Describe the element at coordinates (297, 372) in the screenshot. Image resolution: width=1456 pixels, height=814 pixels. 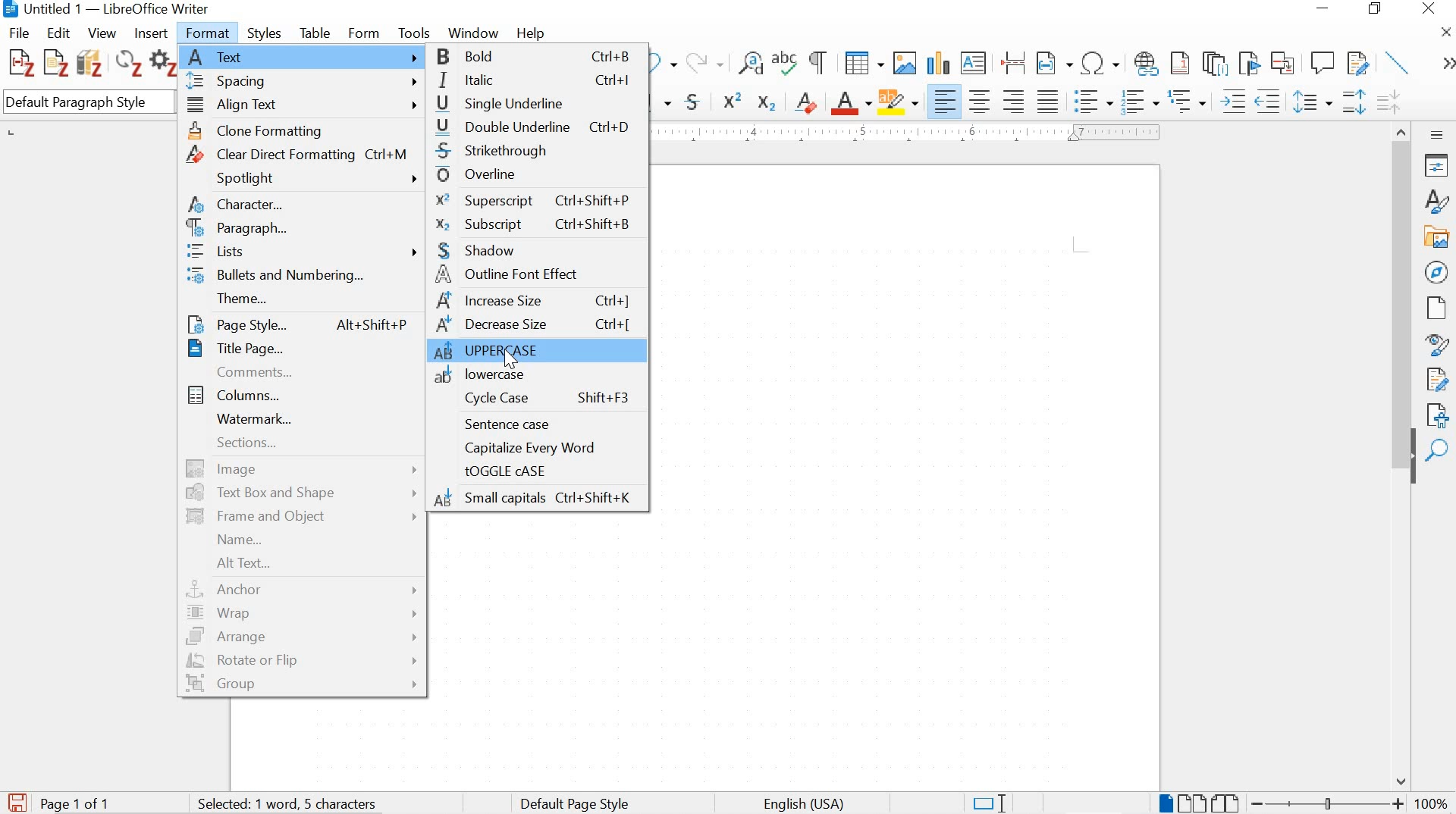
I see `comments` at that location.